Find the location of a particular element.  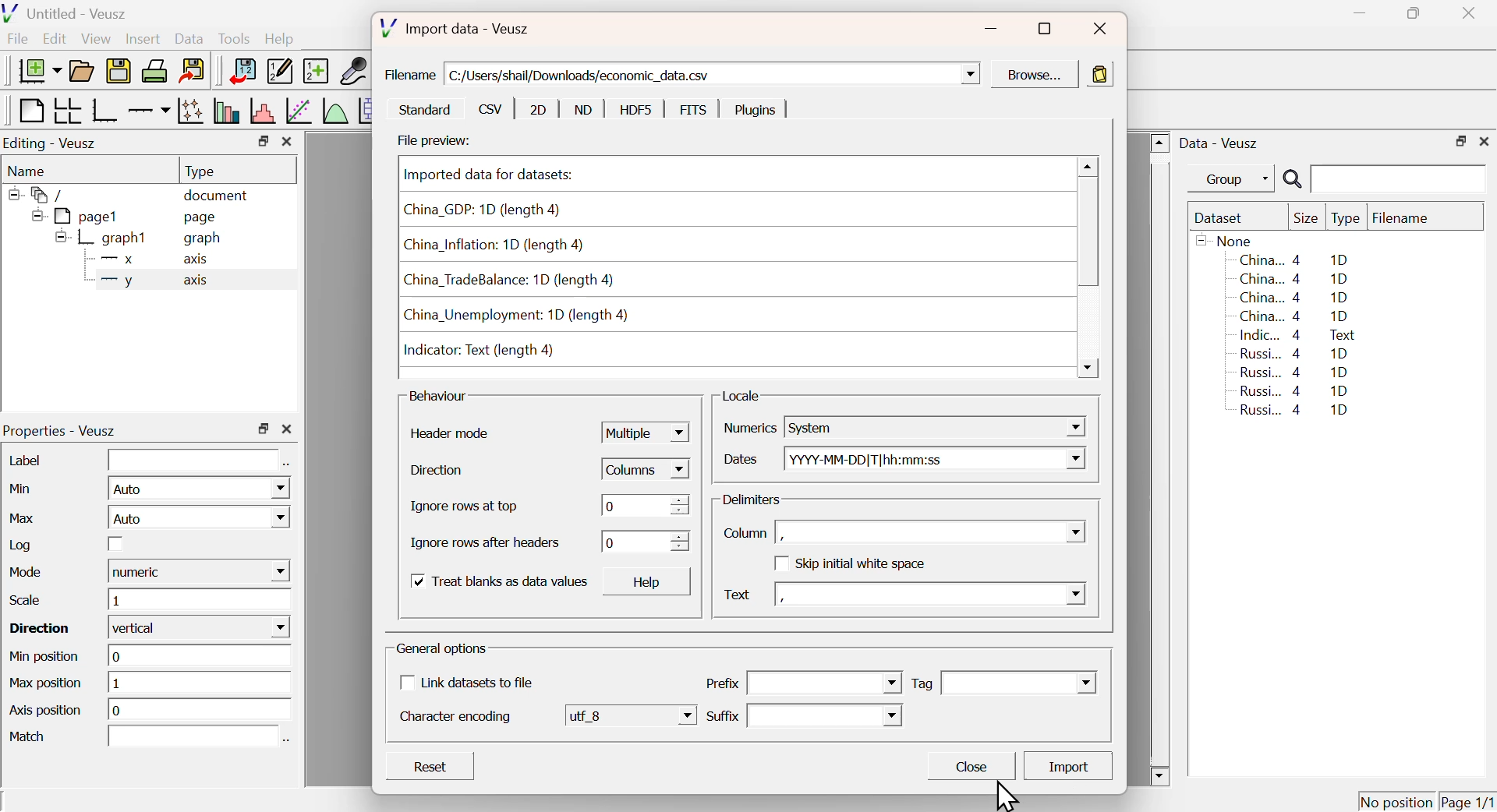

Dropdown is located at coordinates (823, 683).